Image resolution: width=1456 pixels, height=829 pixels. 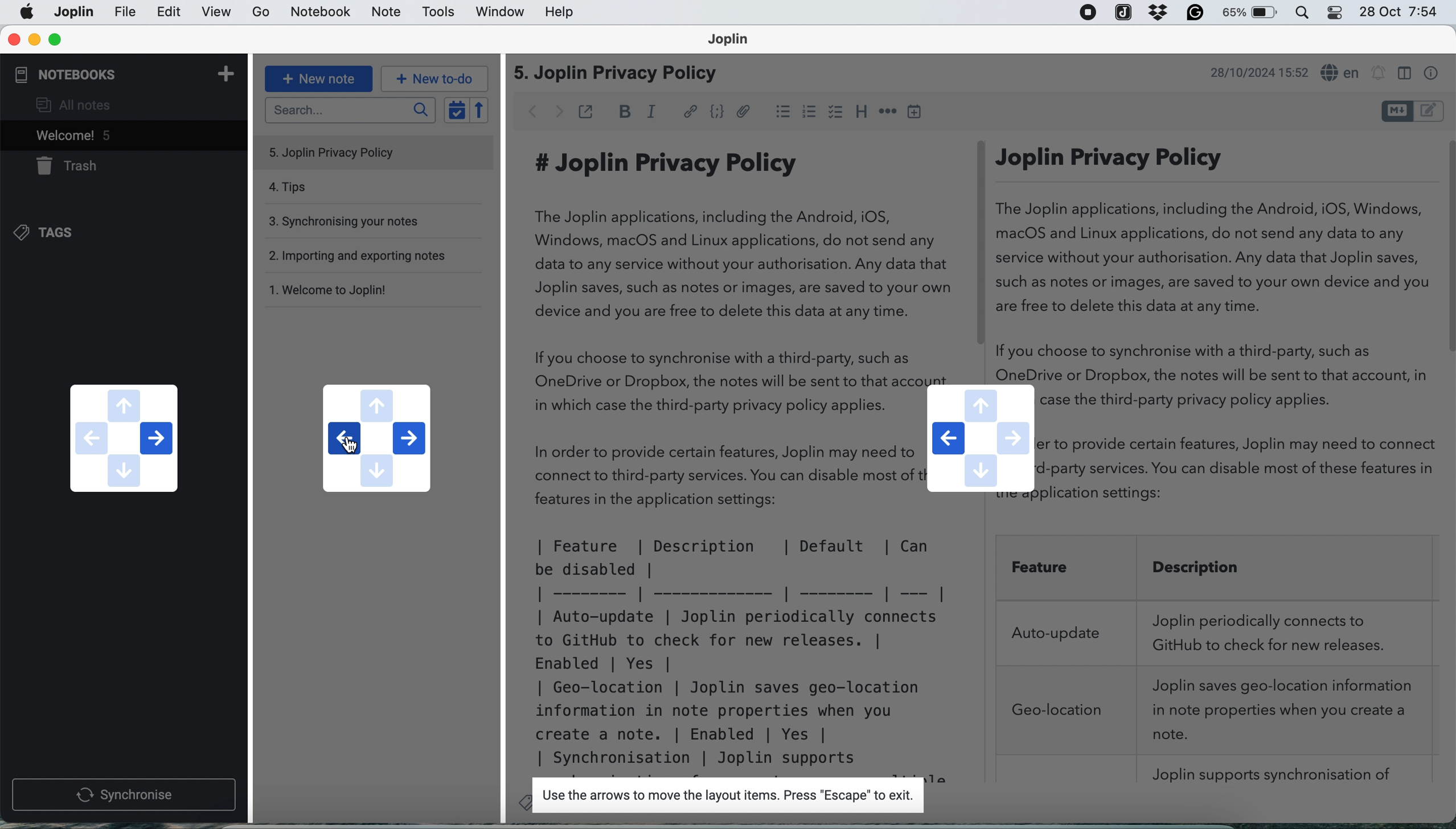 What do you see at coordinates (323, 13) in the screenshot?
I see `notebook` at bounding box center [323, 13].